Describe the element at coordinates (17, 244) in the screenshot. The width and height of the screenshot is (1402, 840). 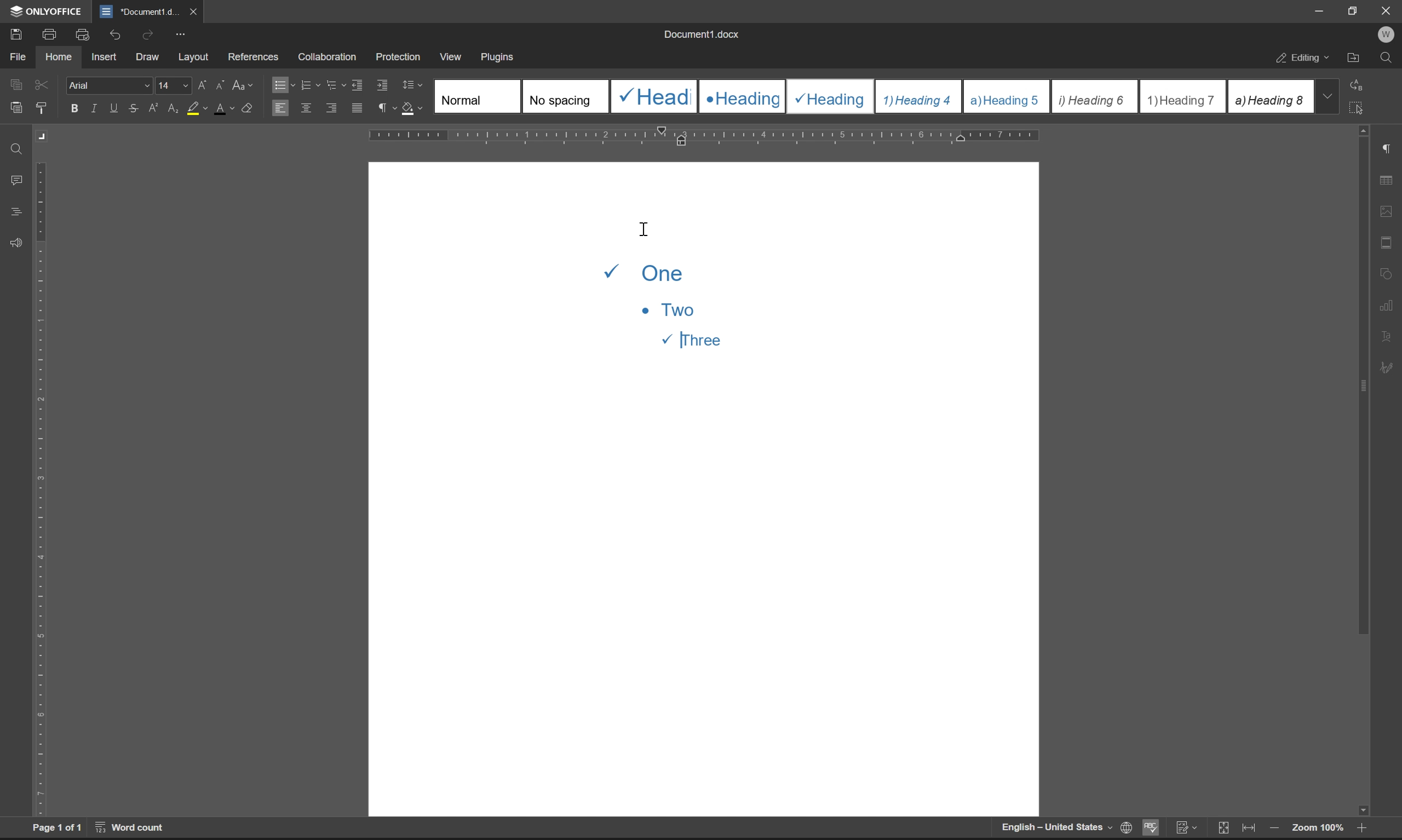
I see `feedback & support` at that location.